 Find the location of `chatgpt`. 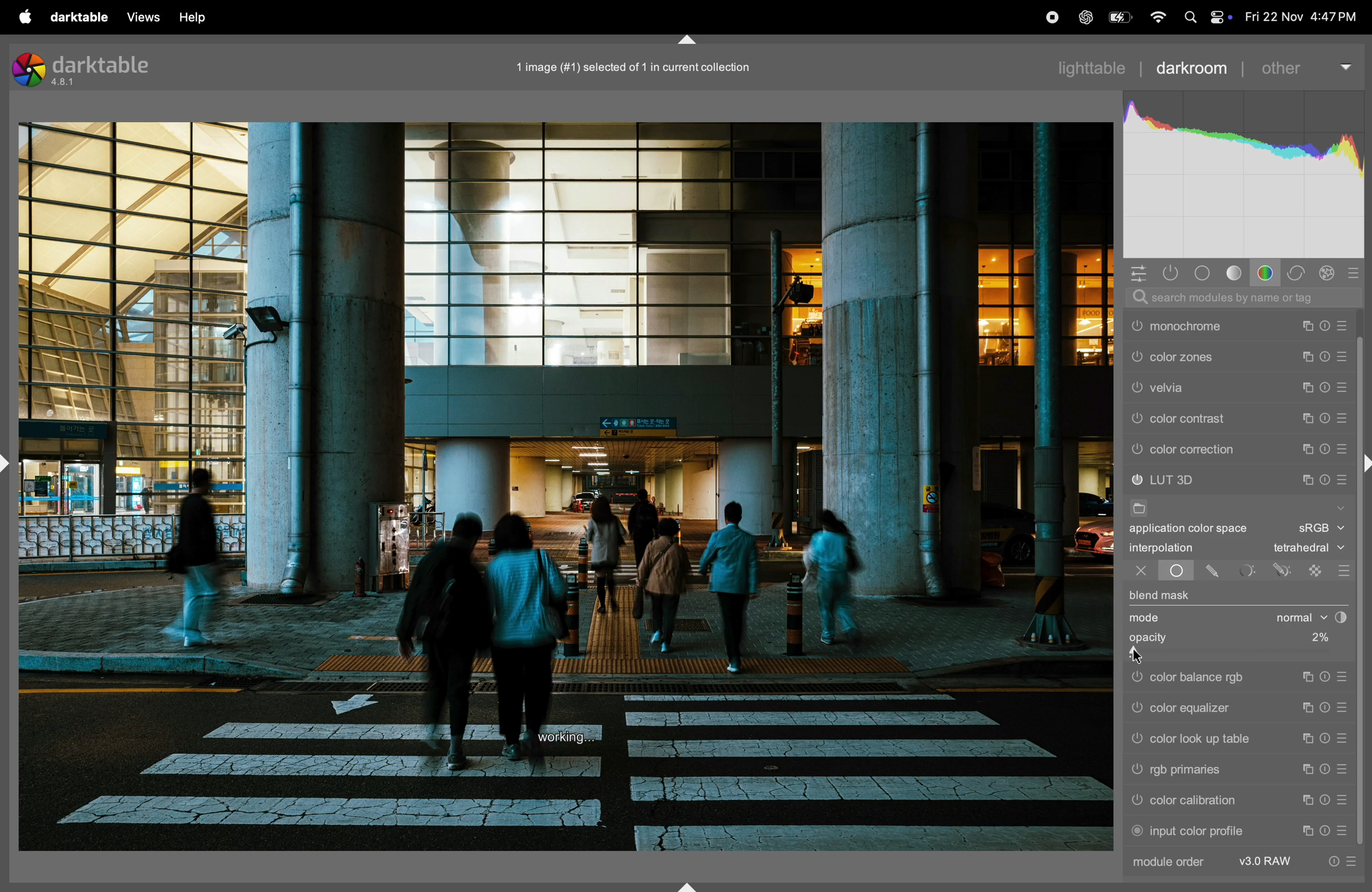

chatgpt is located at coordinates (1081, 16).